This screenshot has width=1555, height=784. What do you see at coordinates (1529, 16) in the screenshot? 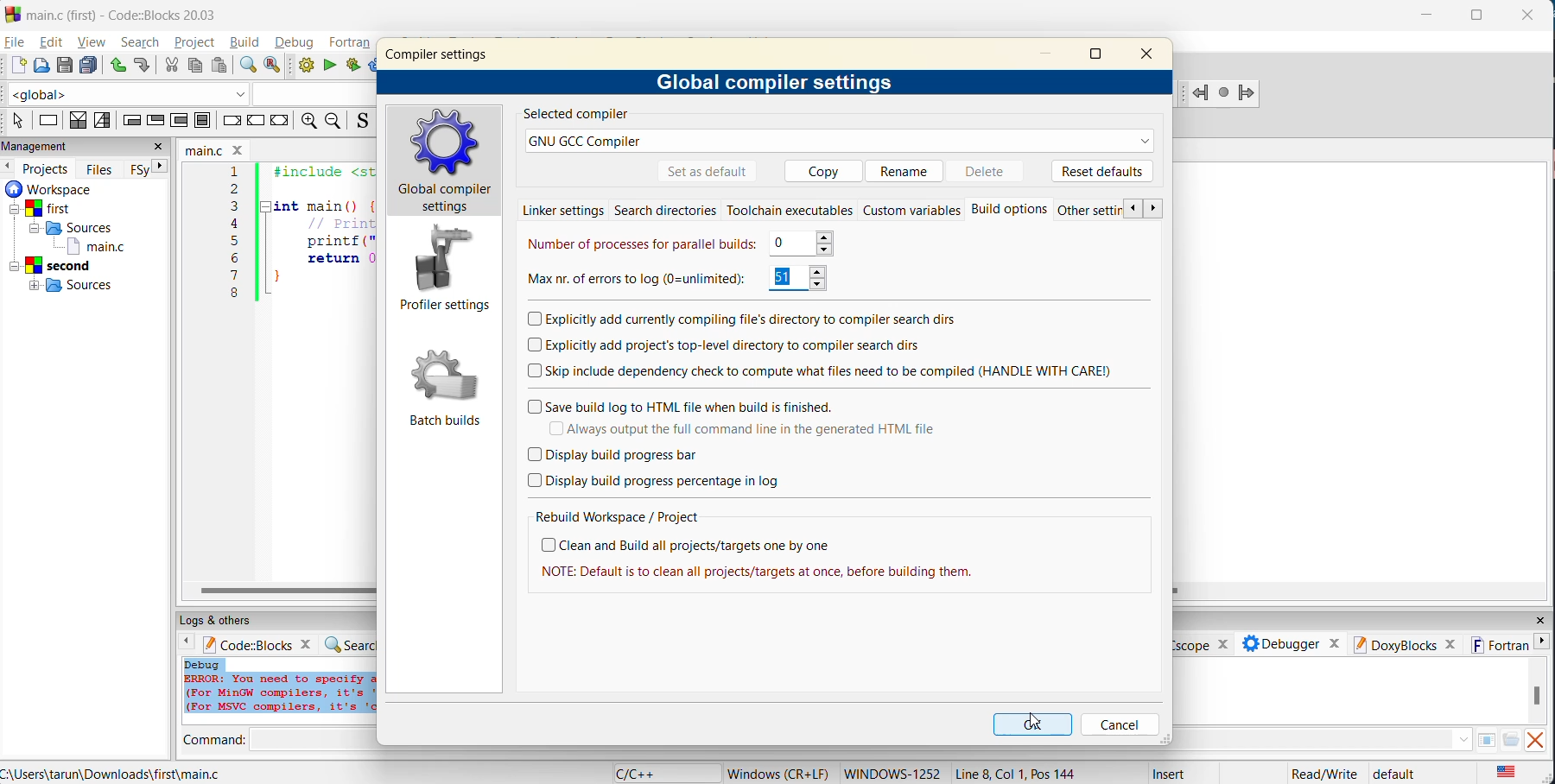
I see `close` at bounding box center [1529, 16].